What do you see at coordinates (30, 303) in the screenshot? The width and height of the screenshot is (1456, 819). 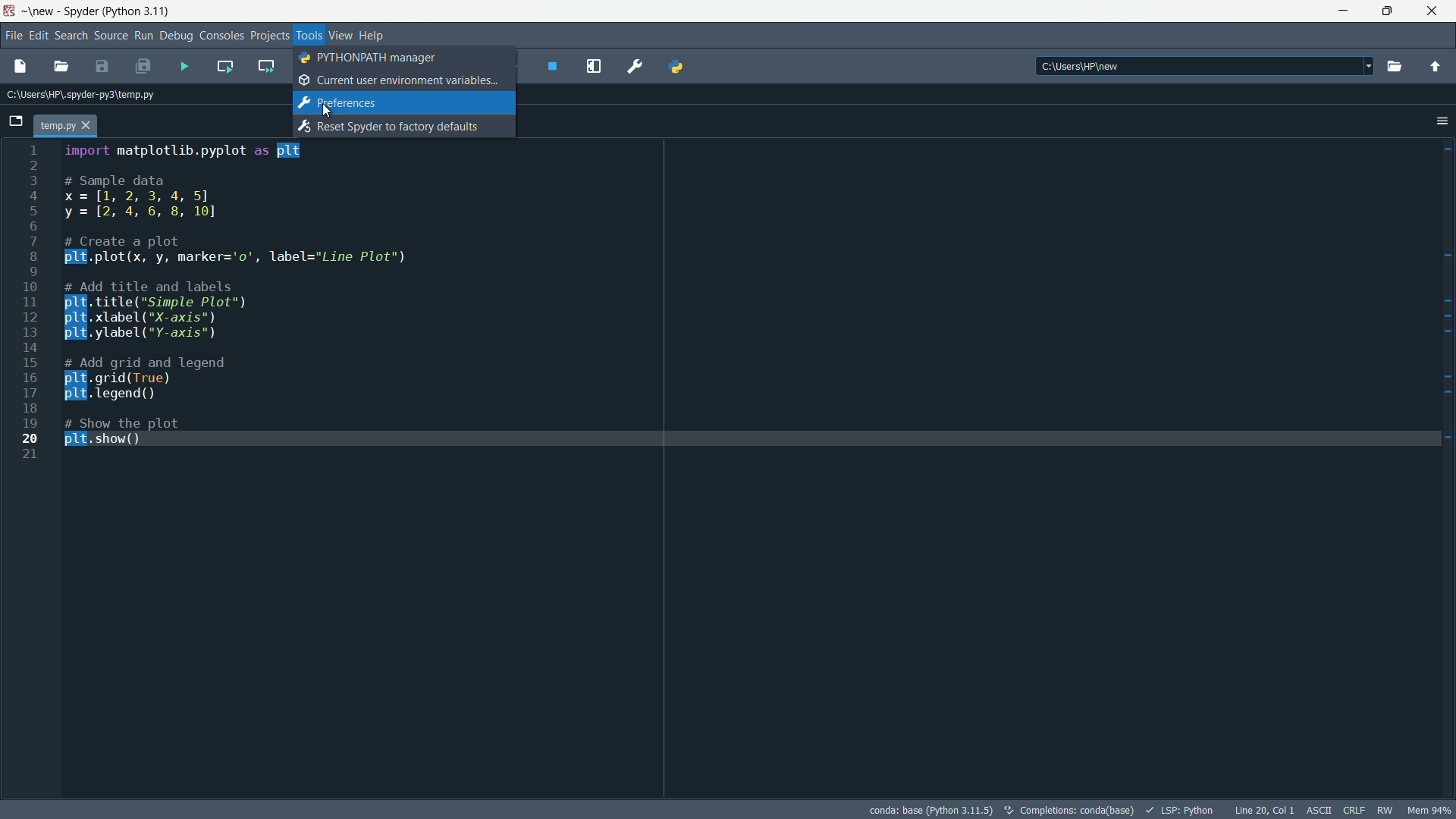 I see `line numbers` at bounding box center [30, 303].